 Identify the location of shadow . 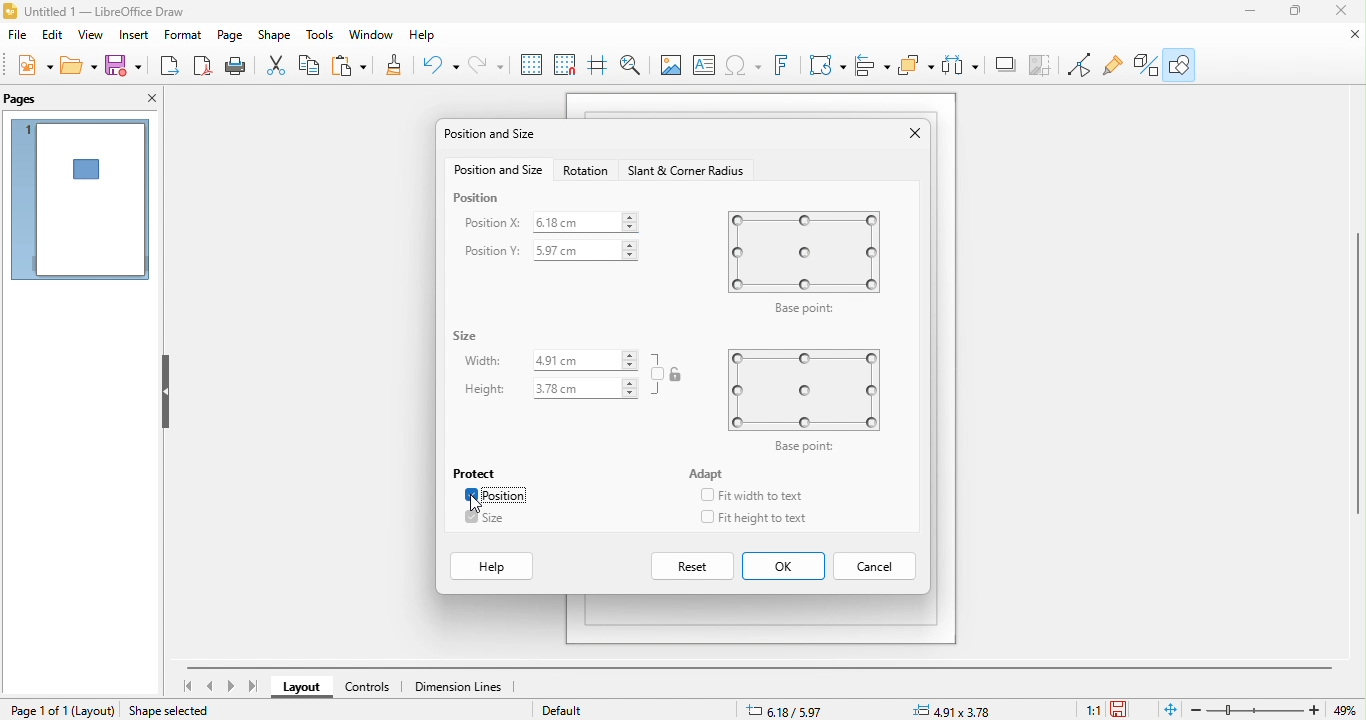
(960, 66).